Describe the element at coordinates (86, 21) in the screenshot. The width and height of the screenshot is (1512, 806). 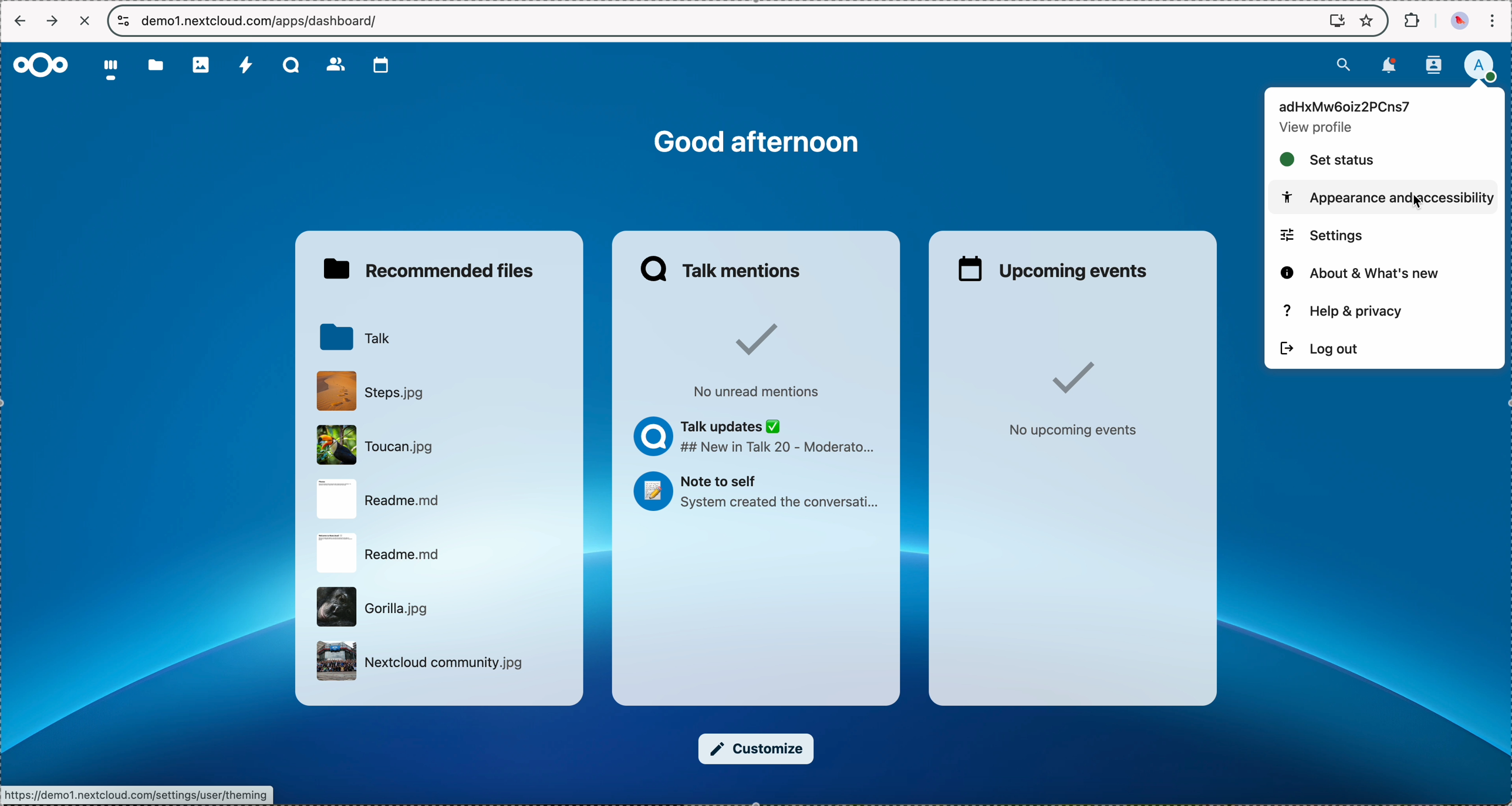
I see `refresh the page` at that location.